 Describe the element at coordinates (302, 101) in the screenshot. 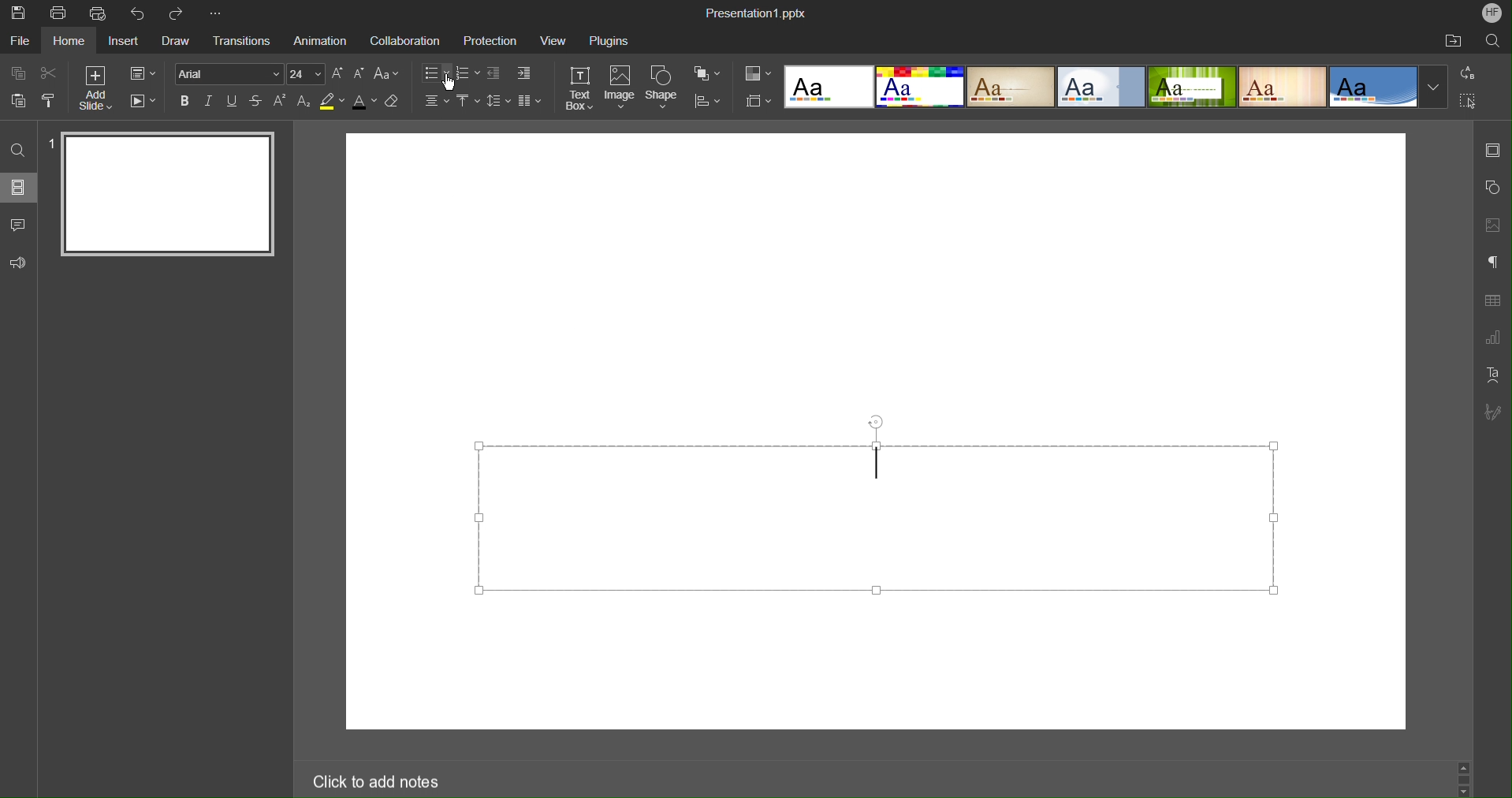

I see `Subscript` at that location.